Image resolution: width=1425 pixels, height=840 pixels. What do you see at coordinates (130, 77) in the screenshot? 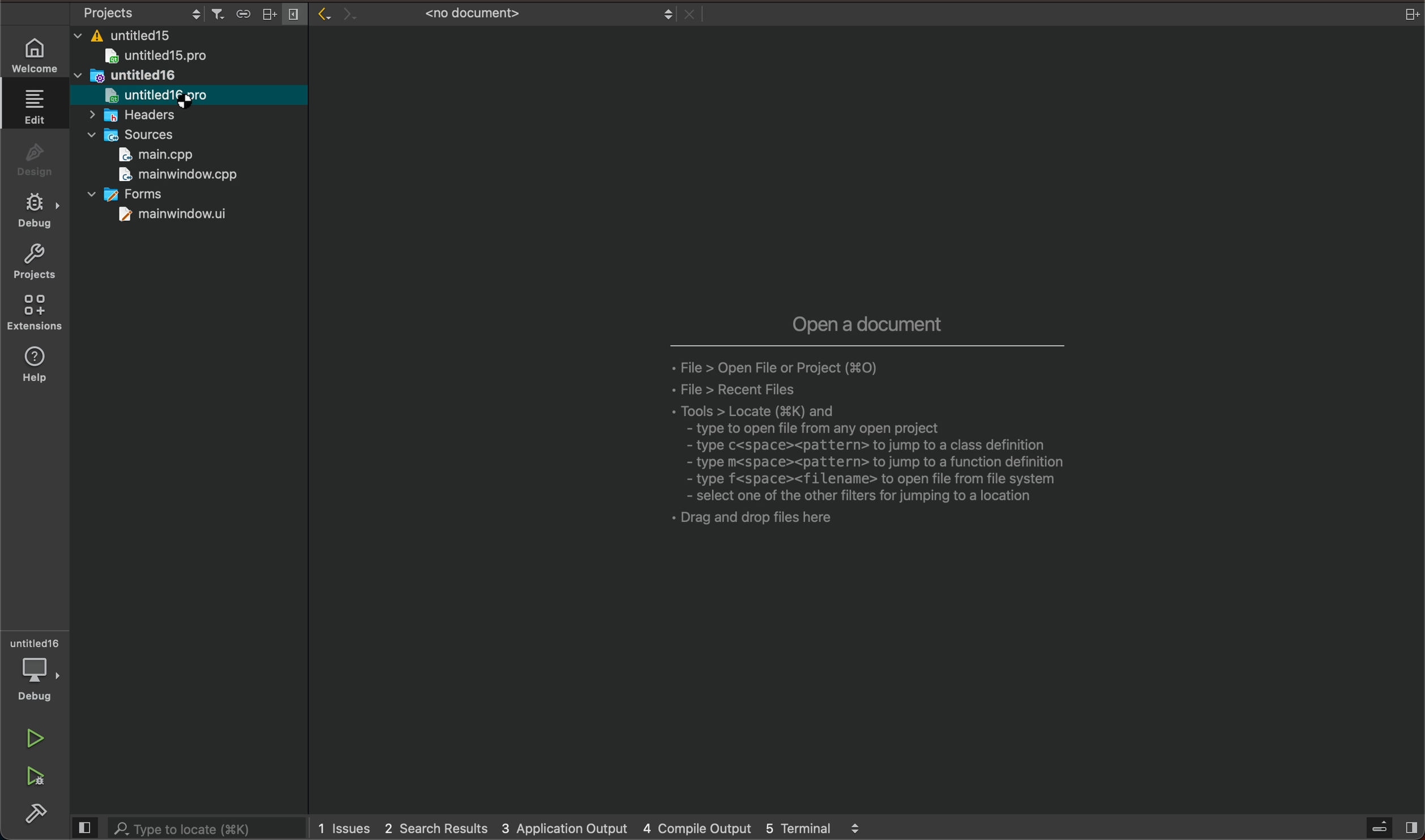
I see `untitled16` at bounding box center [130, 77].